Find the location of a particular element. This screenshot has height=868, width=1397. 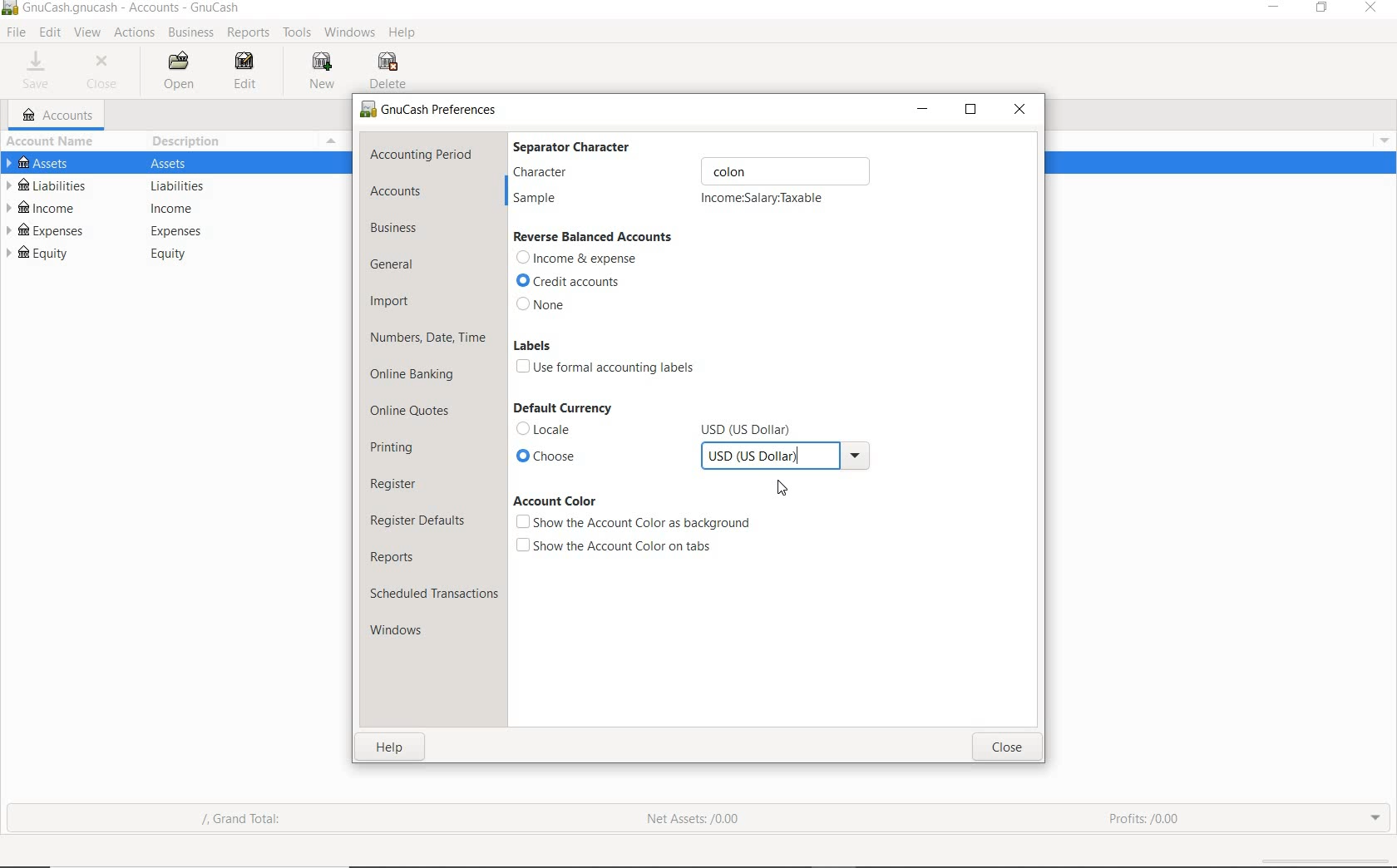

register defaults is located at coordinates (420, 519).